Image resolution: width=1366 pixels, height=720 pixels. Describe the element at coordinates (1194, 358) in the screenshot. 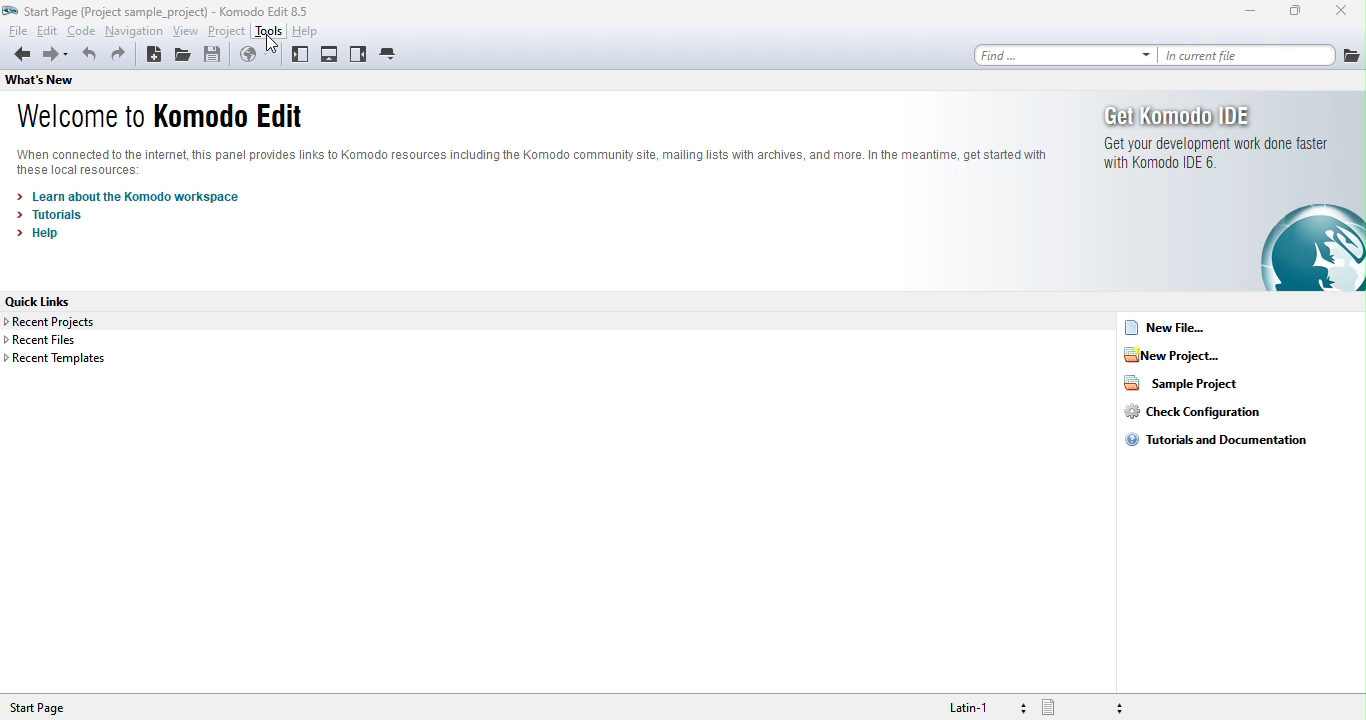

I see `new project` at that location.